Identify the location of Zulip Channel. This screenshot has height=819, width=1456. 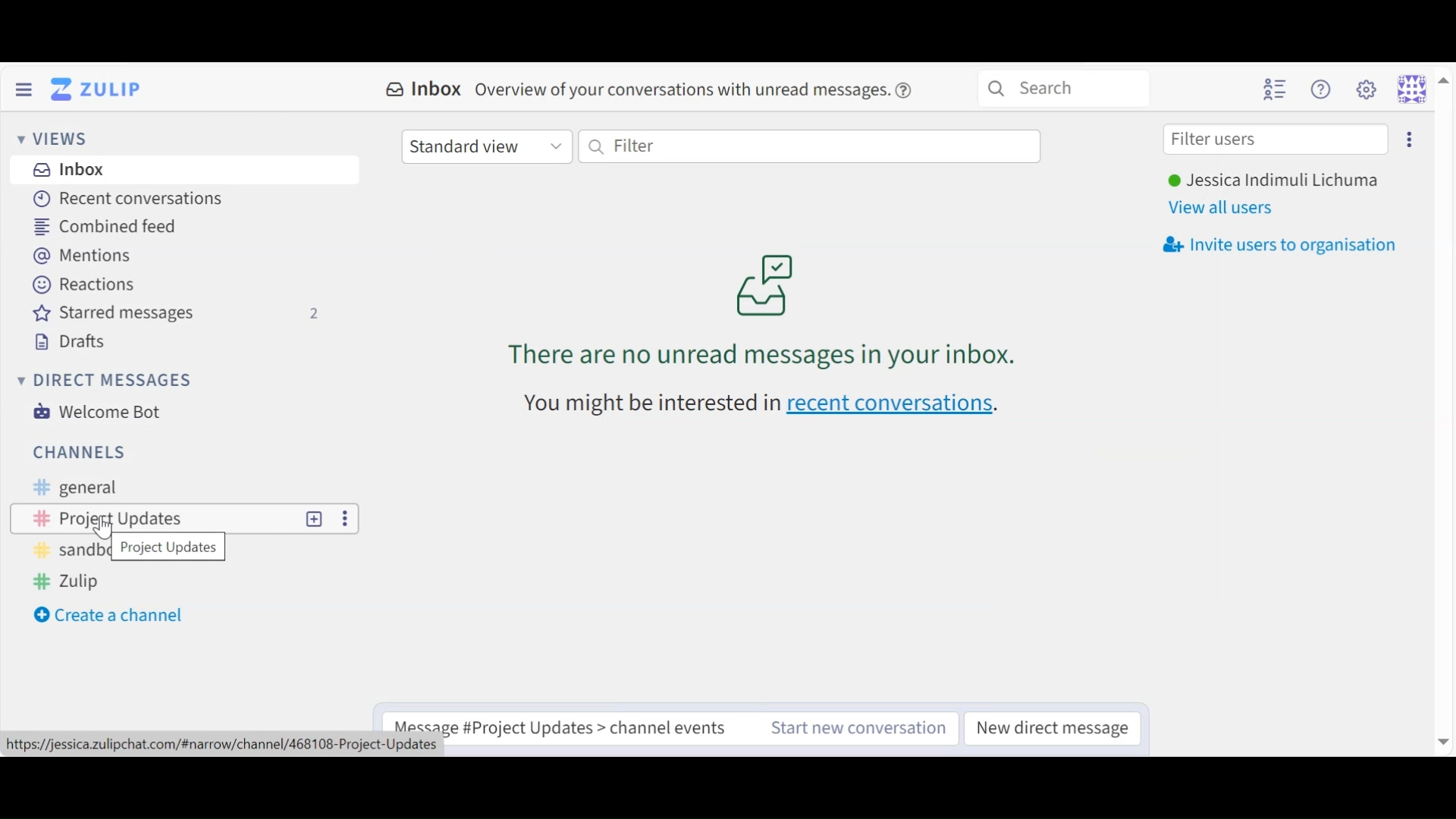
(77, 582).